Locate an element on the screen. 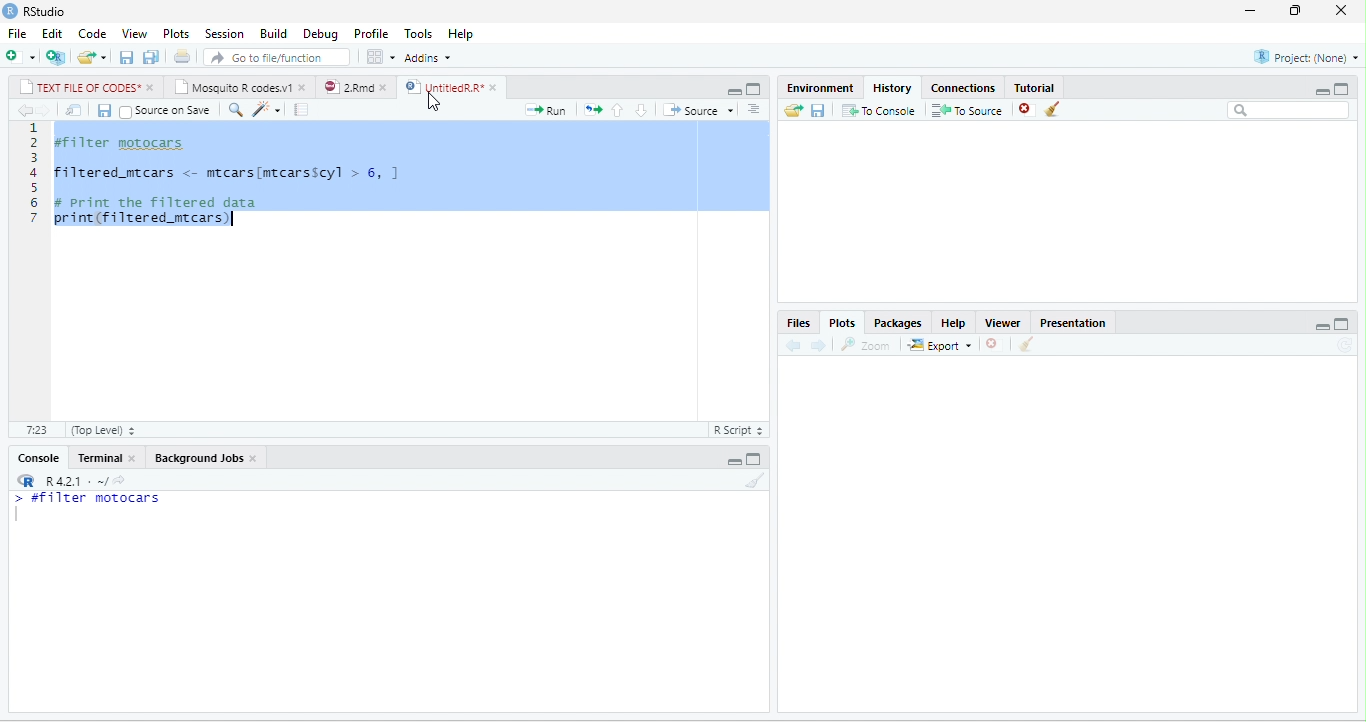 The height and width of the screenshot is (722, 1366). maximize is located at coordinates (1342, 324).